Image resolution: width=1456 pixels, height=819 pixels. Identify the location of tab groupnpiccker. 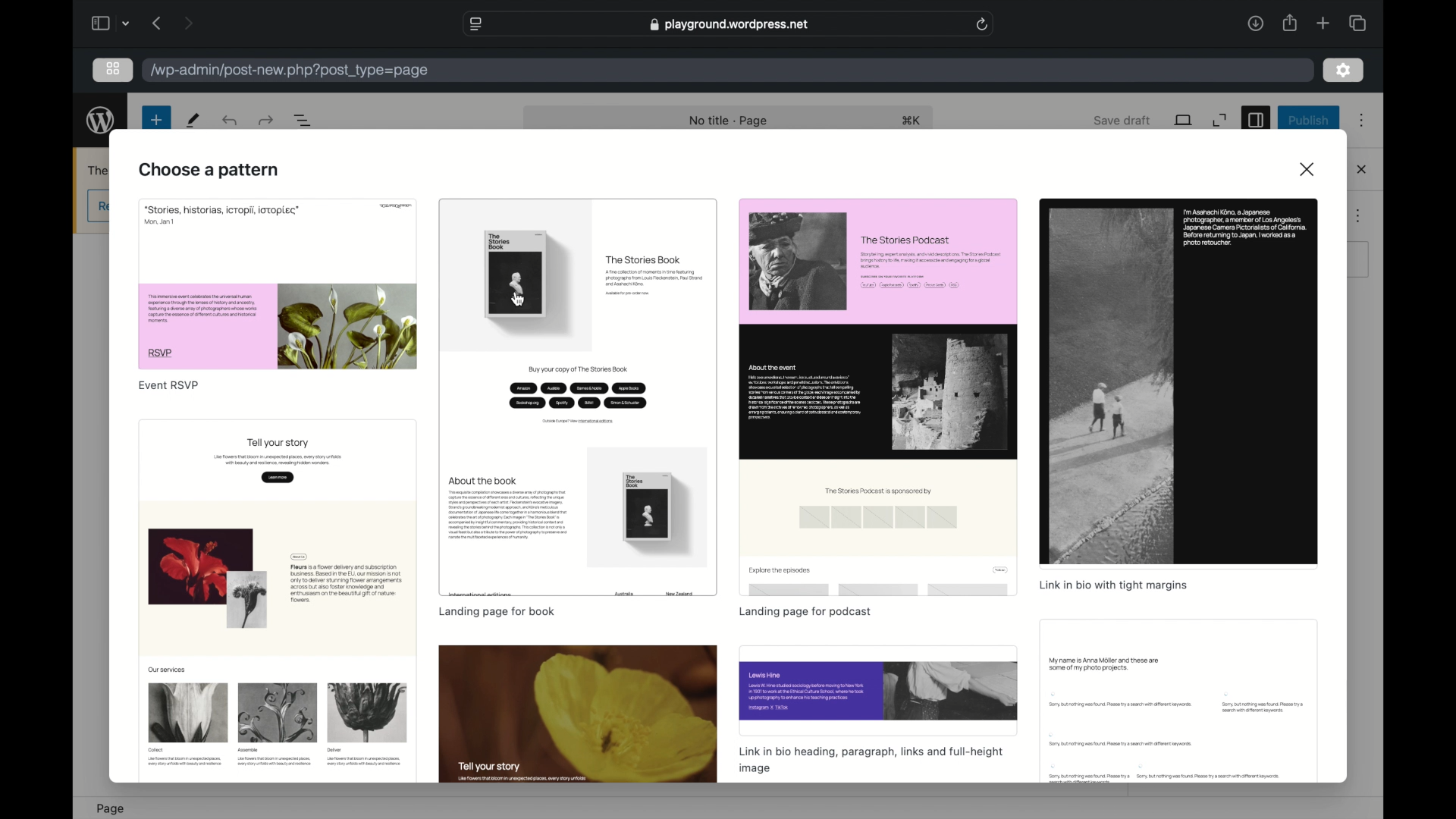
(126, 24).